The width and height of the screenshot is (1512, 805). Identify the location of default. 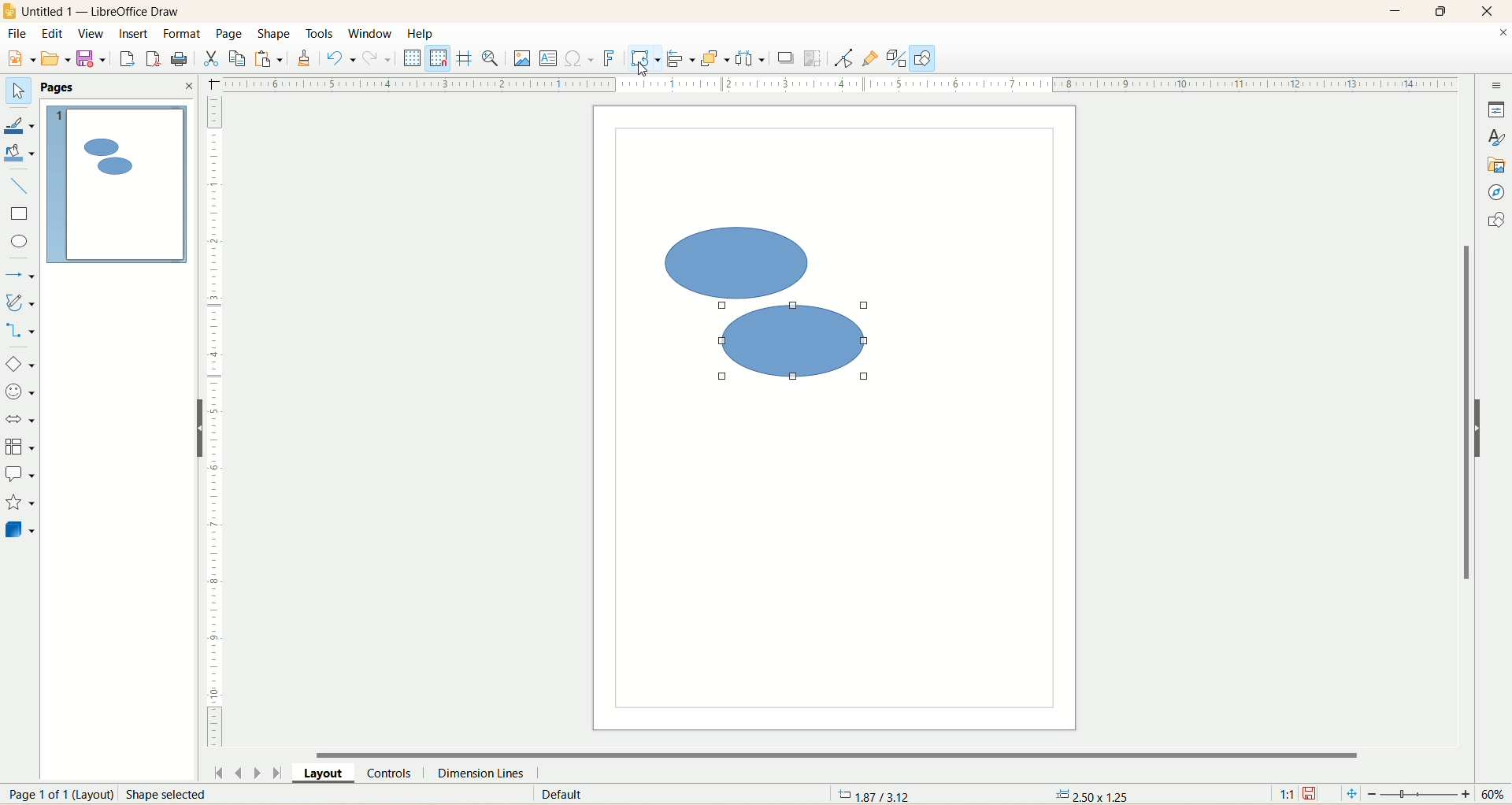
(551, 796).